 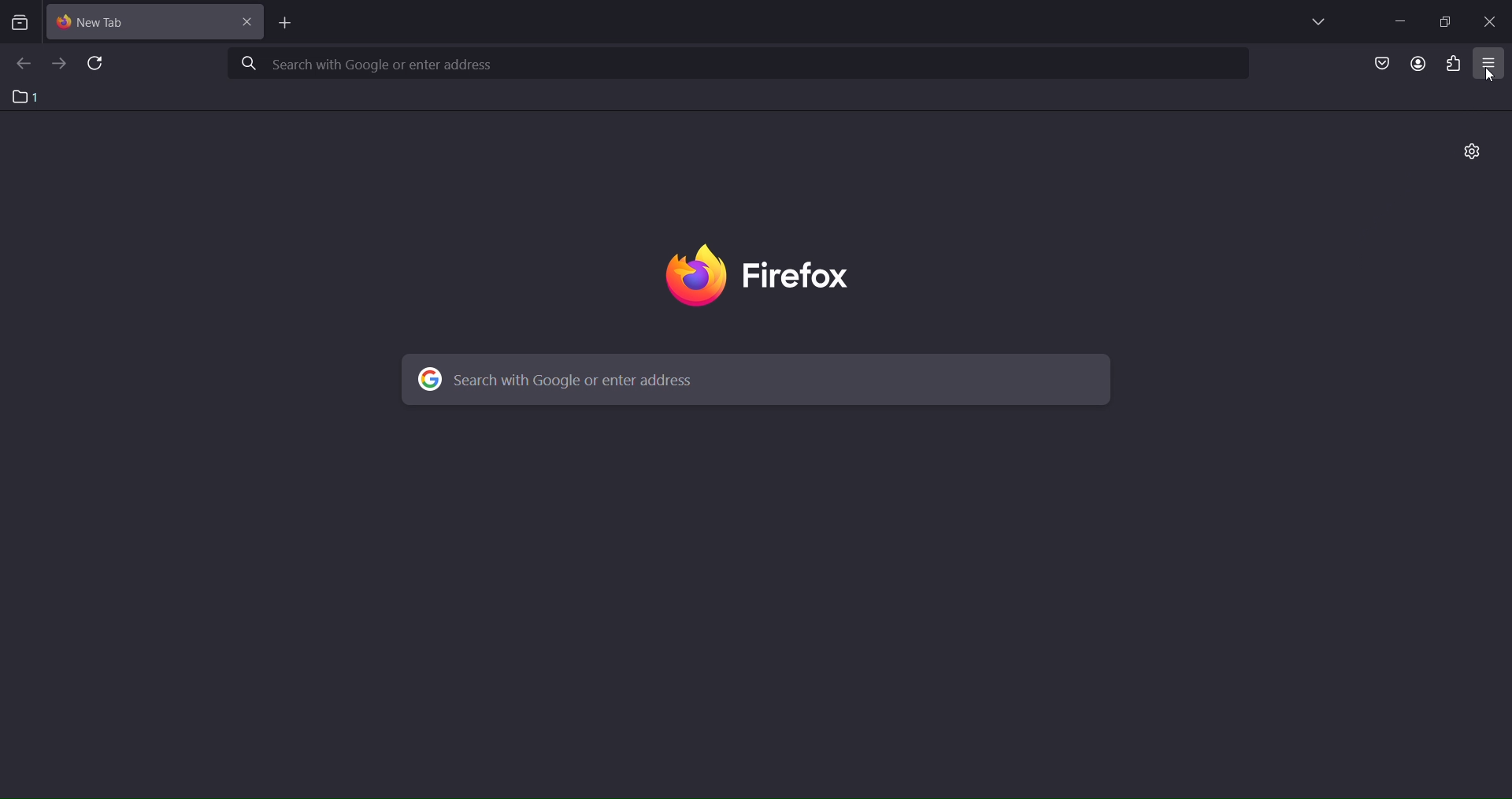 I want to click on close, so click(x=1491, y=24).